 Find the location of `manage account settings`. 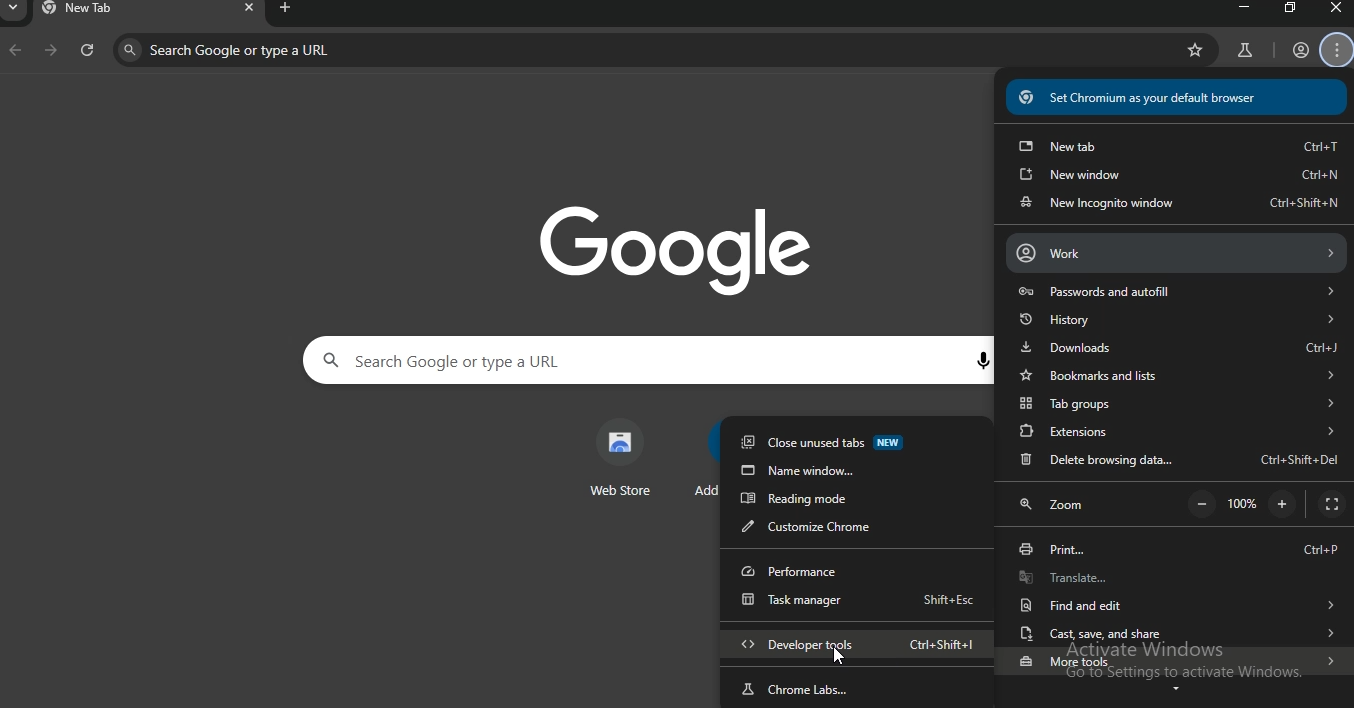

manage account settings is located at coordinates (1338, 51).